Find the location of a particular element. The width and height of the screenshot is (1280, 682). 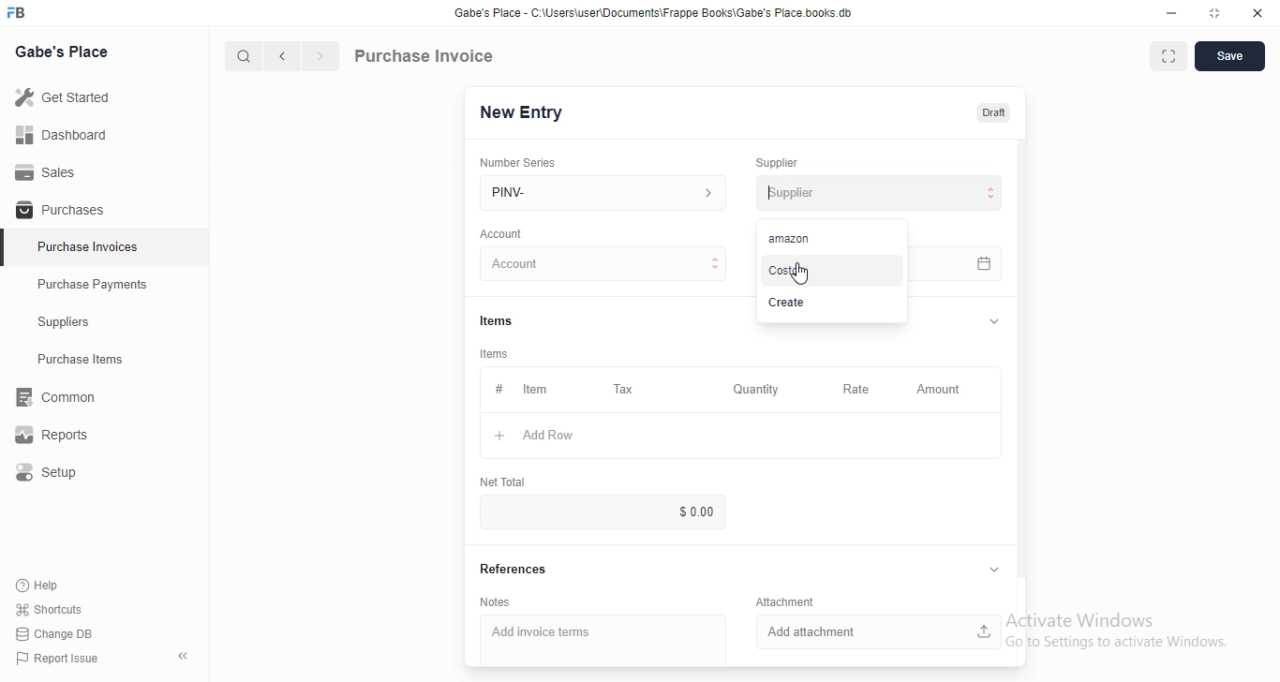

Vertical slide bar is located at coordinates (1022, 365).